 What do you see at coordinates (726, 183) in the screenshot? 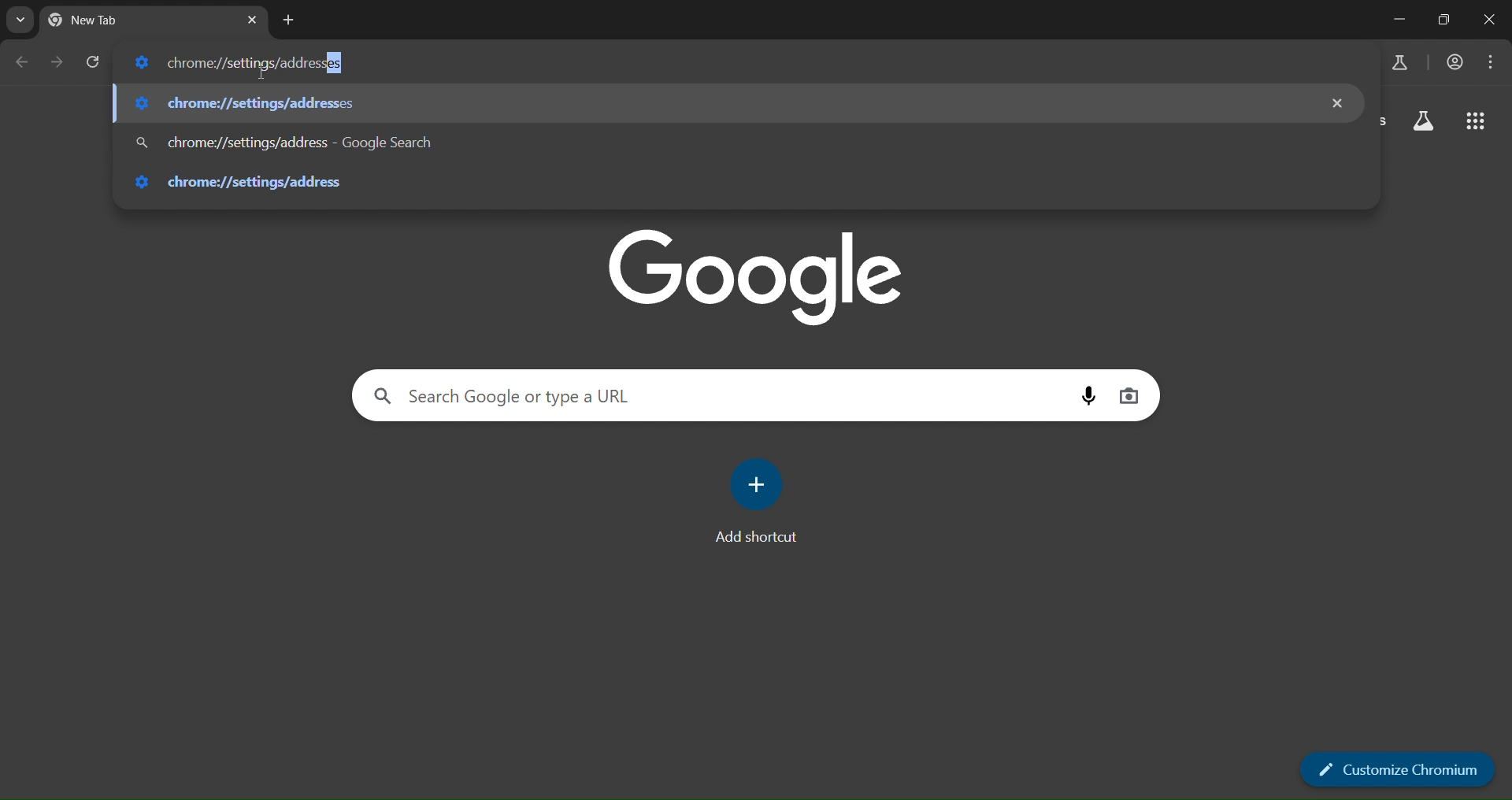
I see `chrome://settings/addresses` at bounding box center [726, 183].